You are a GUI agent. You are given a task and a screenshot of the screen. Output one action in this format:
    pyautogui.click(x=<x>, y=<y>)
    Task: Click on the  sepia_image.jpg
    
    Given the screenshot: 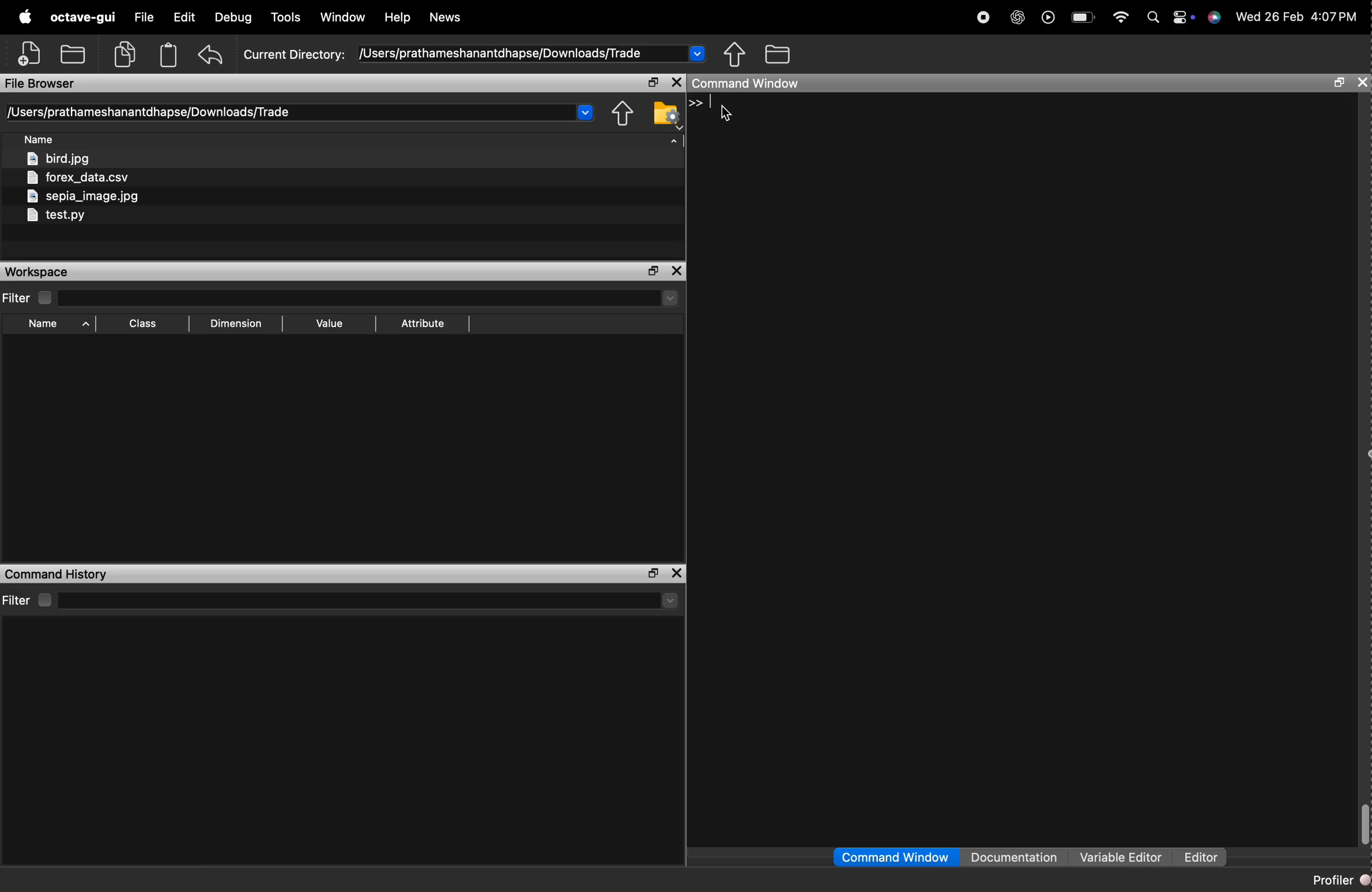 What is the action you would take?
    pyautogui.click(x=84, y=196)
    